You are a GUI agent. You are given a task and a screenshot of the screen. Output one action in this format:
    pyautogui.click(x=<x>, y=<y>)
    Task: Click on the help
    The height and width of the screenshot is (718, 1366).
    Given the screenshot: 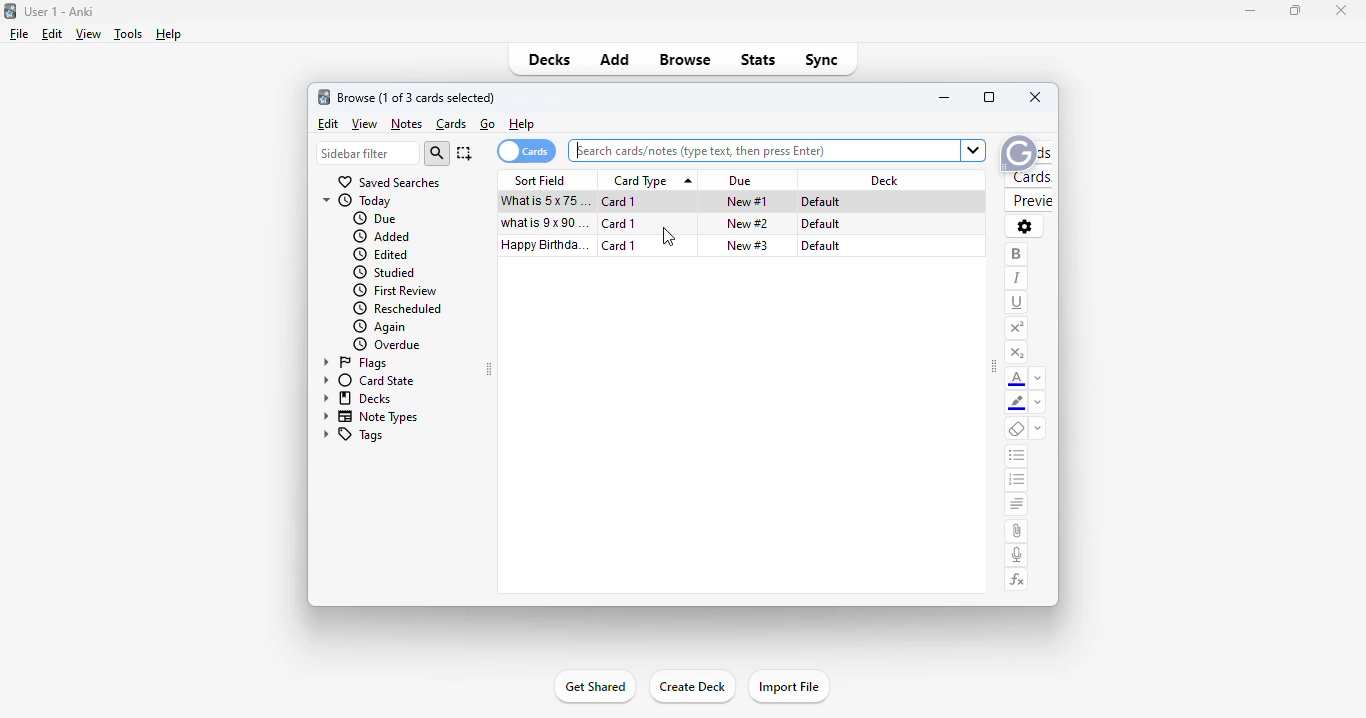 What is the action you would take?
    pyautogui.click(x=170, y=35)
    